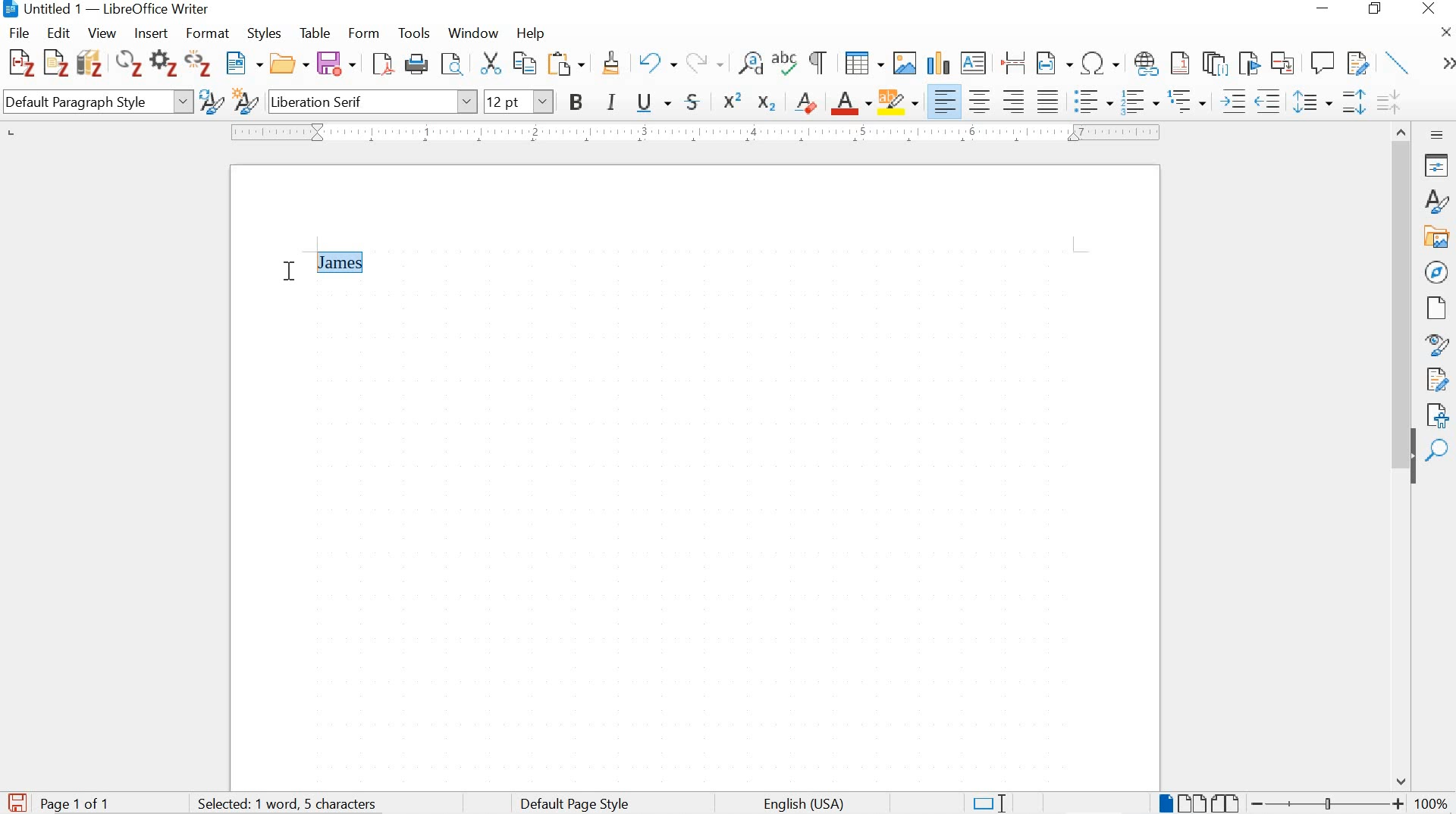 The image size is (1456, 814). What do you see at coordinates (819, 62) in the screenshot?
I see `toggle formatting marks` at bounding box center [819, 62].